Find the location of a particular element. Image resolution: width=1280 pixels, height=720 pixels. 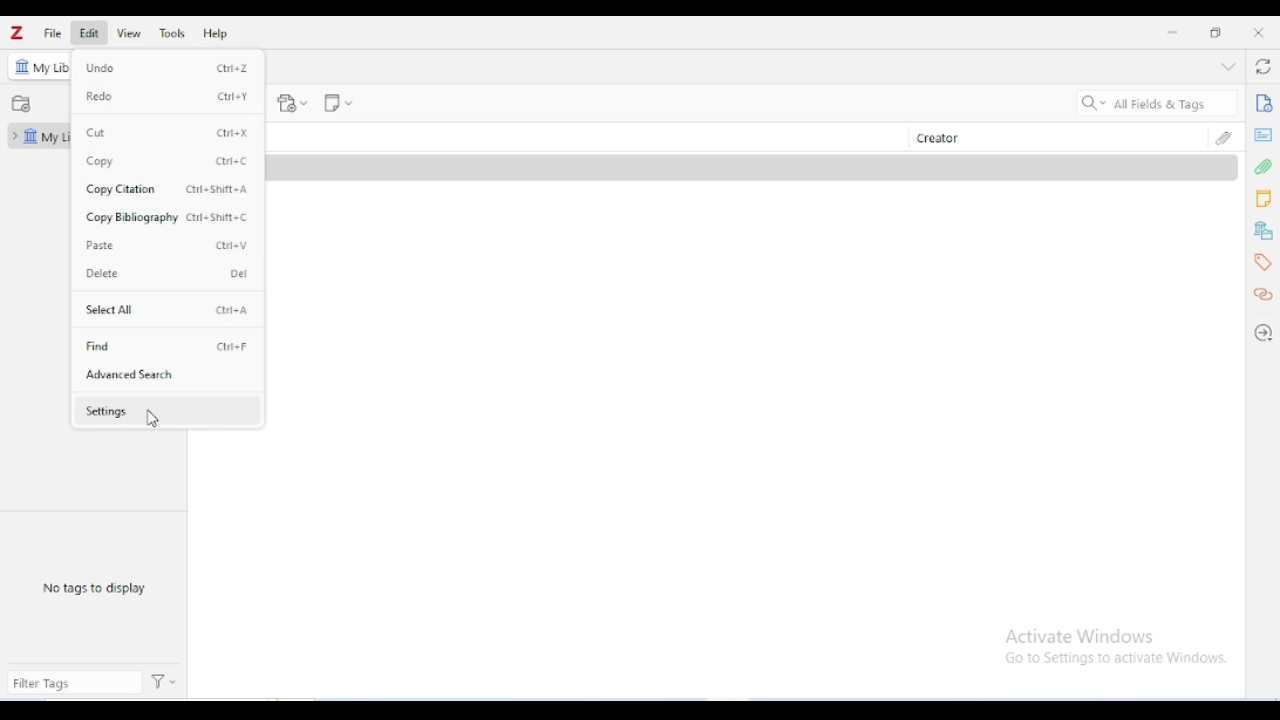

ctrl+Y is located at coordinates (234, 96).